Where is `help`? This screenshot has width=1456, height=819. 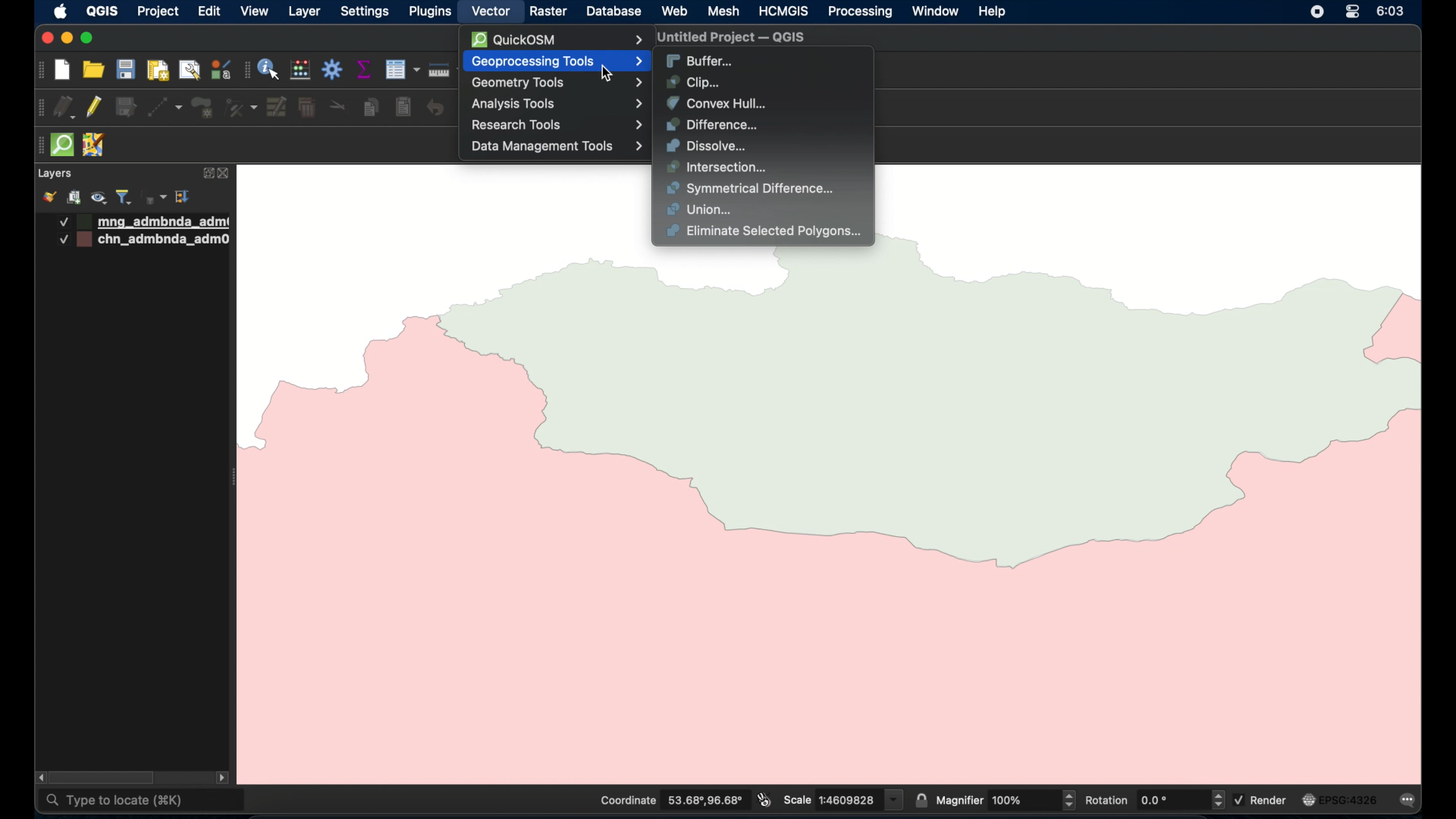 help is located at coordinates (993, 12).